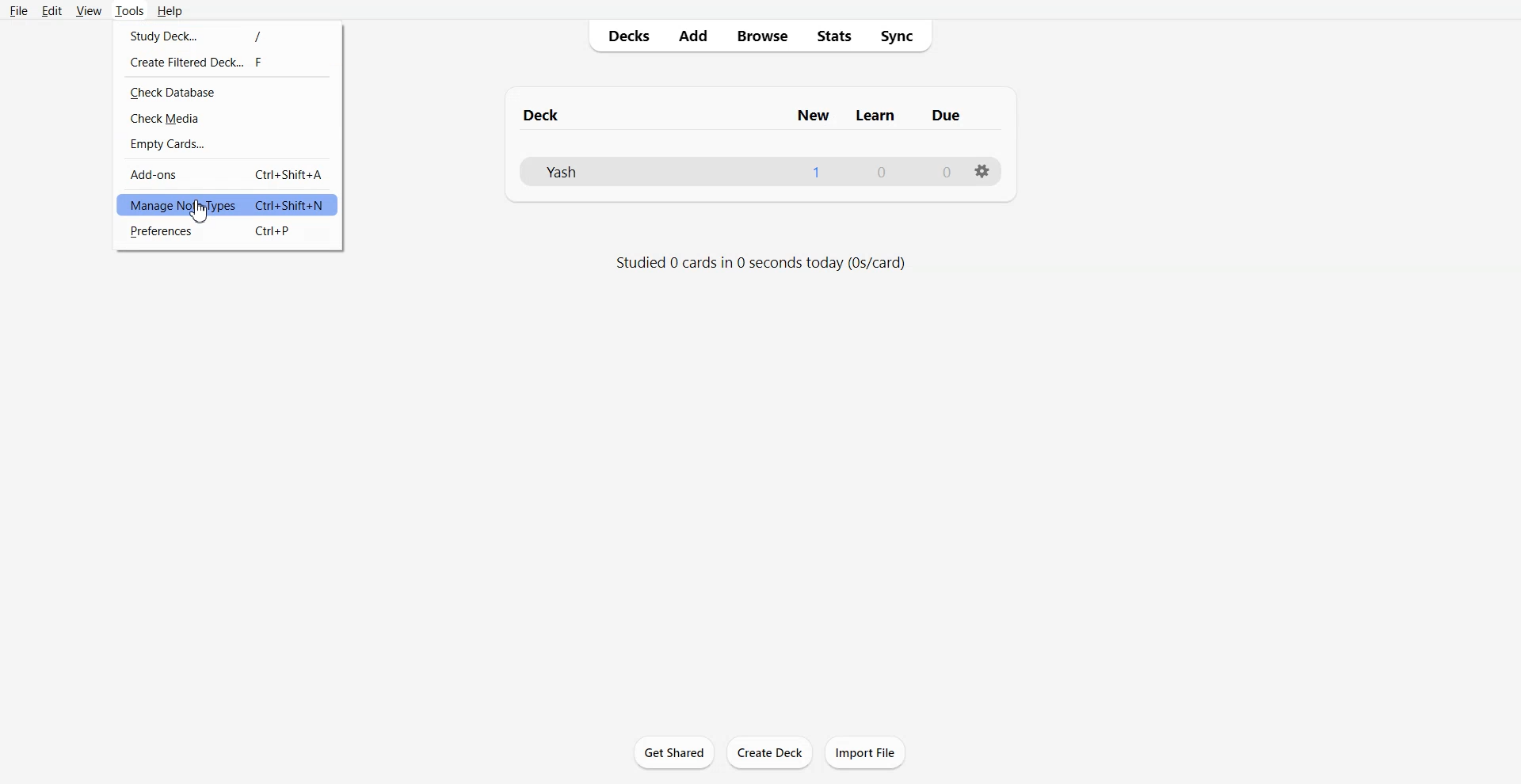 The width and height of the screenshot is (1521, 784). Describe the element at coordinates (227, 92) in the screenshot. I see `Check Database` at that location.